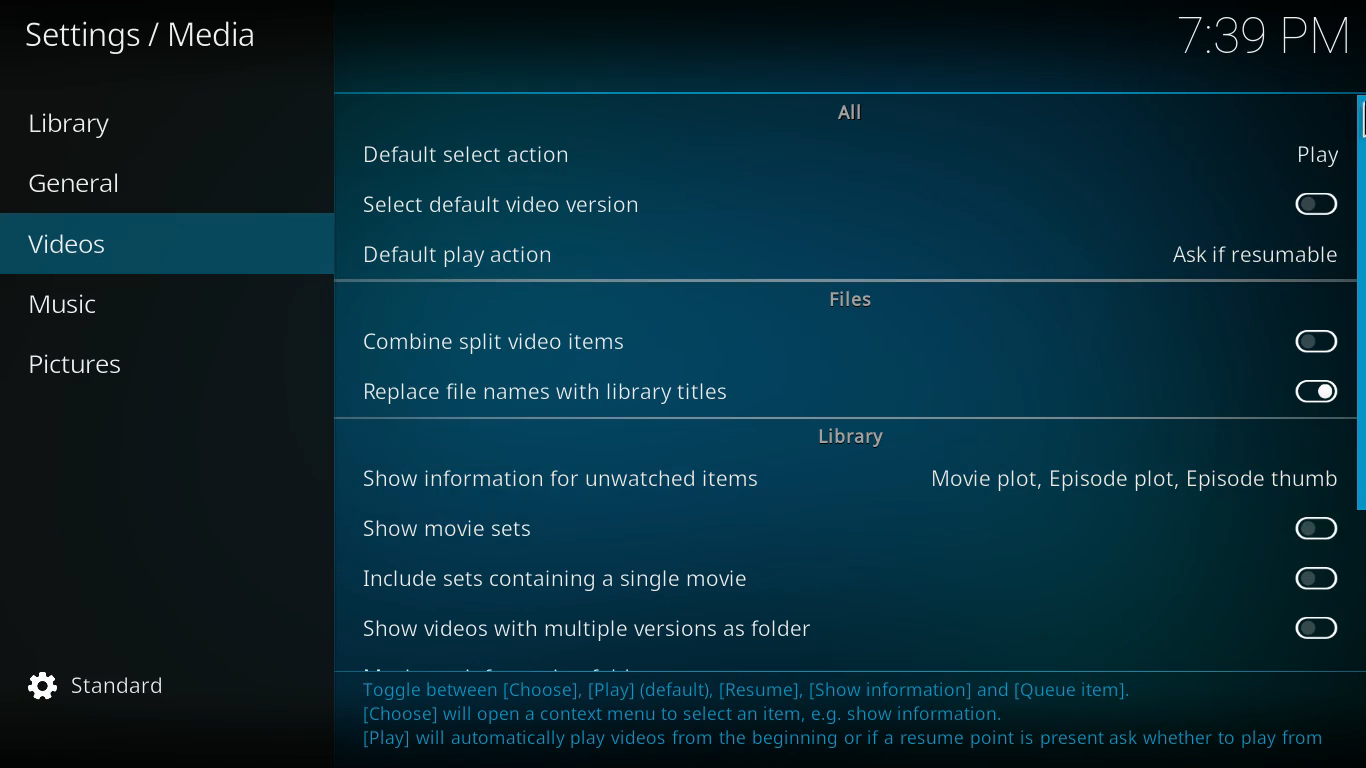  Describe the element at coordinates (1254, 255) in the screenshot. I see `ask if resumable` at that location.